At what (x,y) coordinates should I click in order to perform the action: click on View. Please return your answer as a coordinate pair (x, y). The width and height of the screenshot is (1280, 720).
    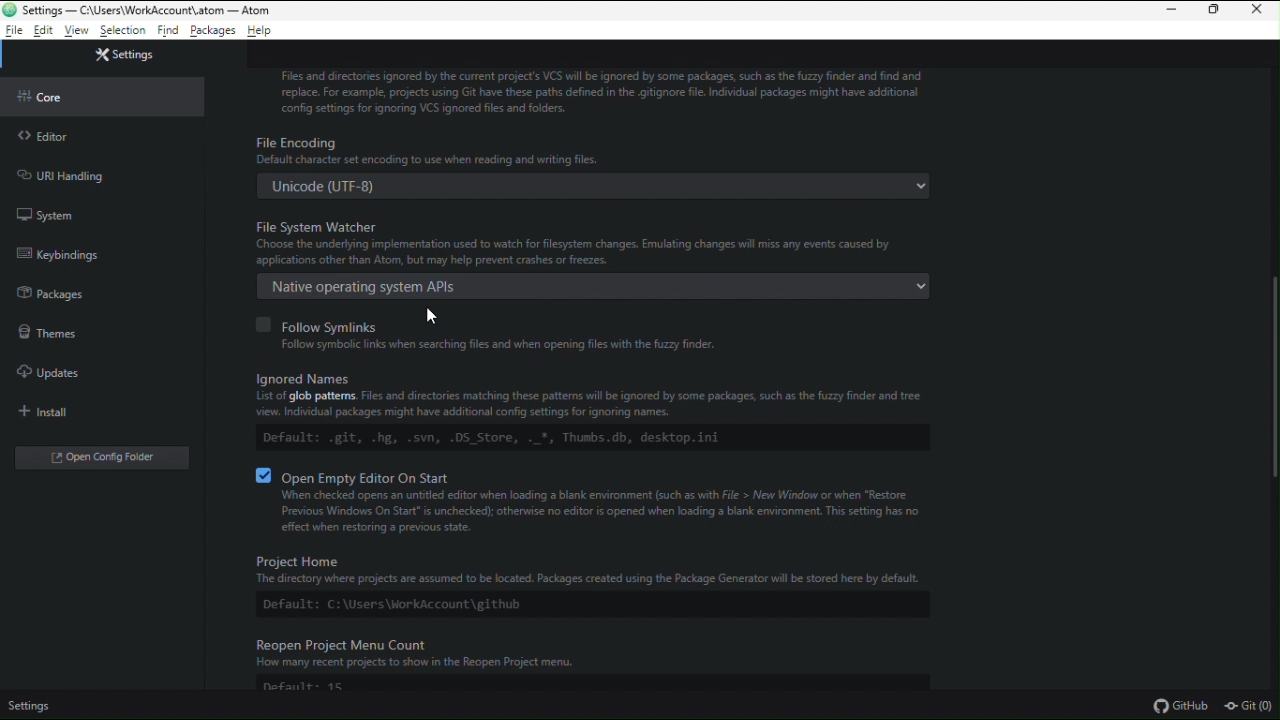
    Looking at the image, I should click on (78, 31).